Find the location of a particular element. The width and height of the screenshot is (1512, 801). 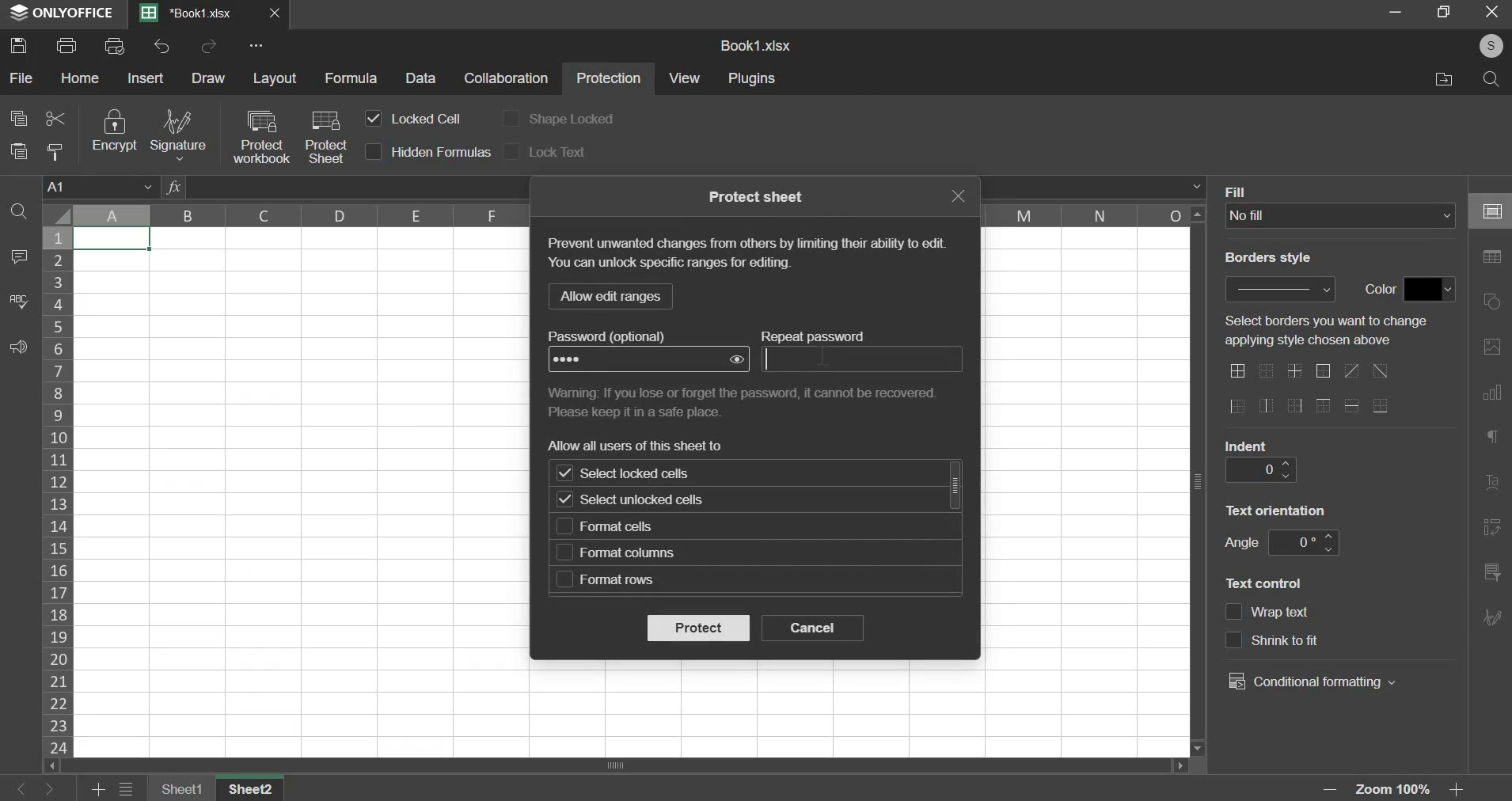

checkbox is located at coordinates (565, 579).